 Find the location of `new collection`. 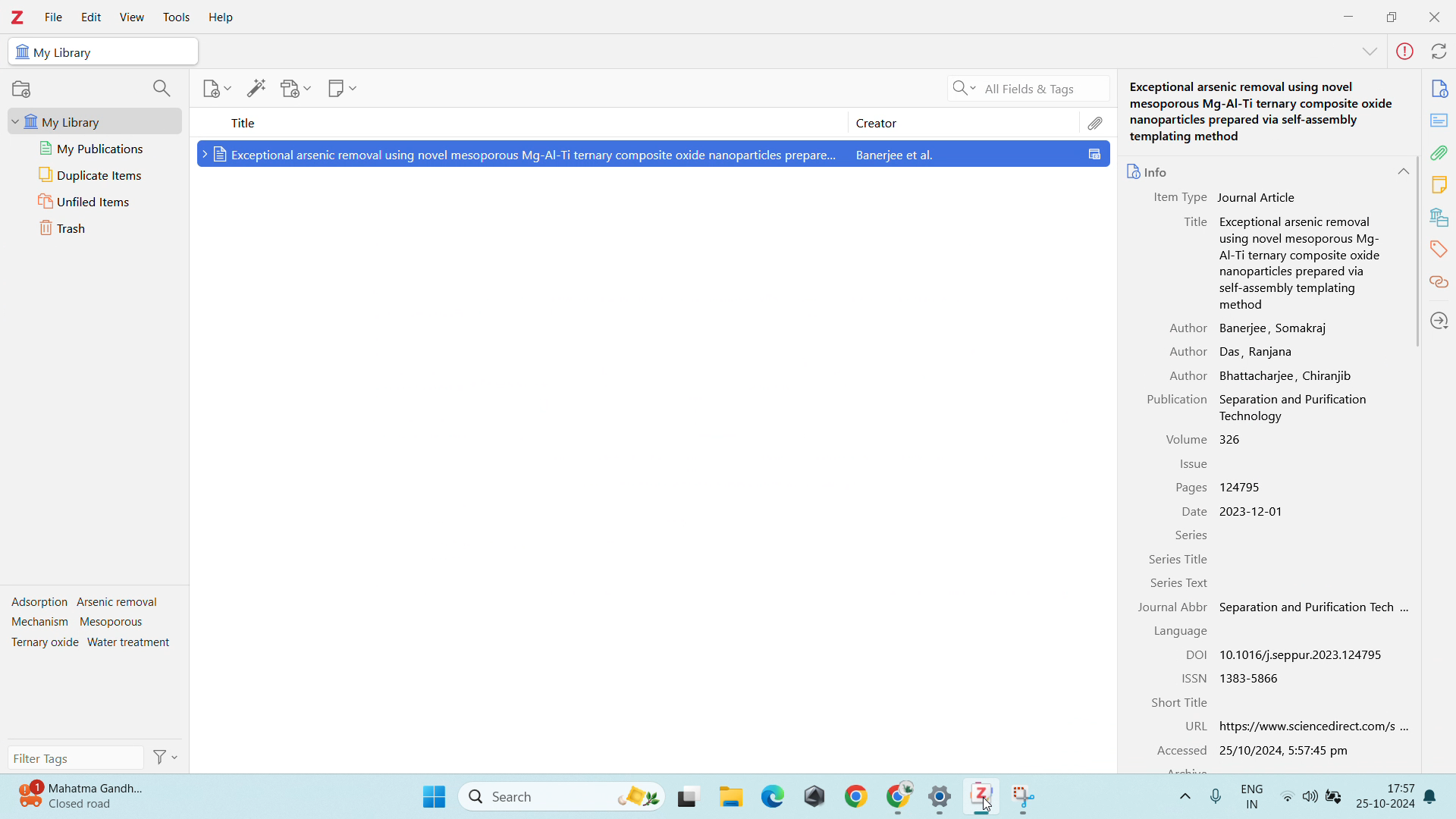

new collection is located at coordinates (22, 89).